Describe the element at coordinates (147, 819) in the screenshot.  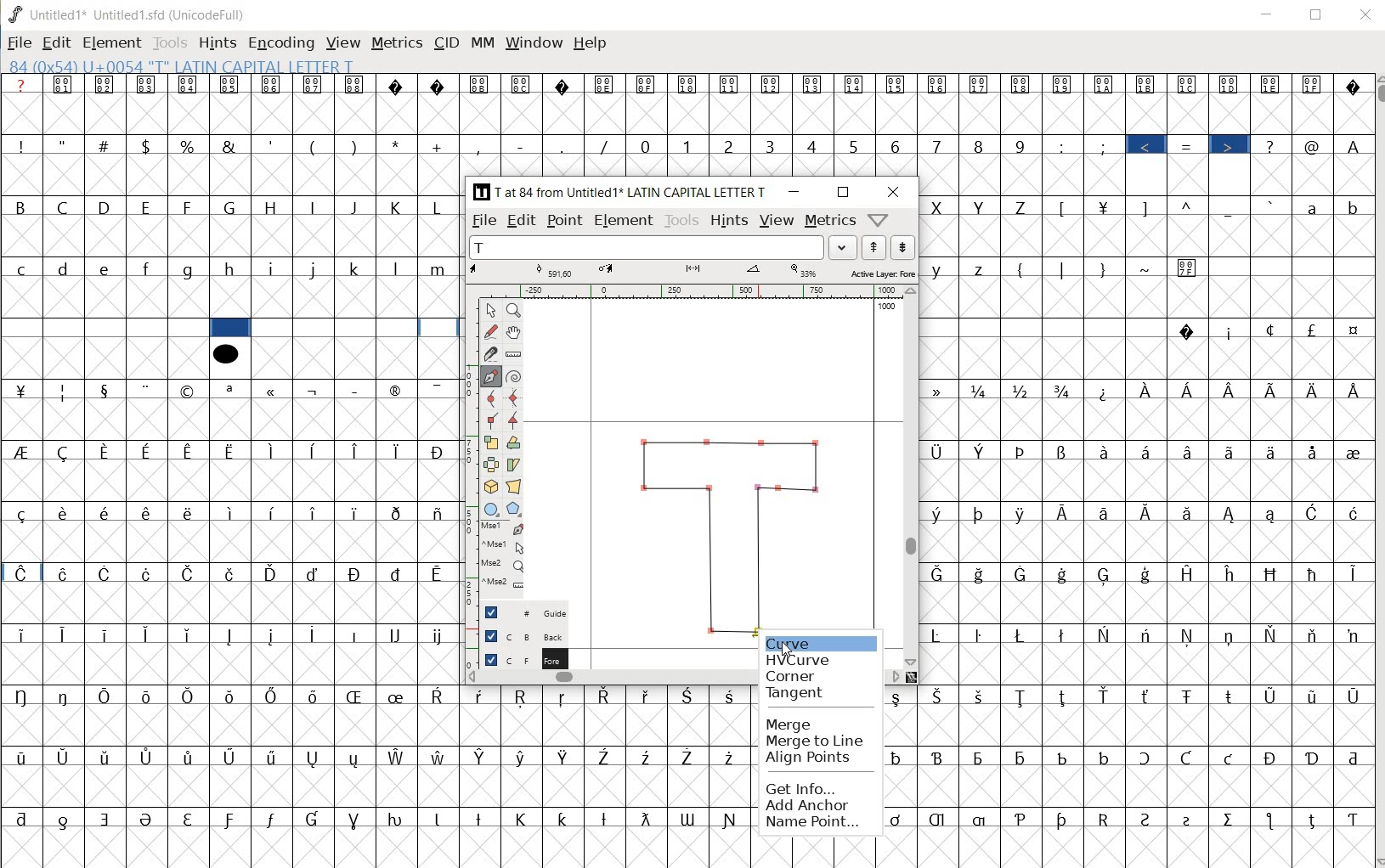
I see `Symbol` at that location.